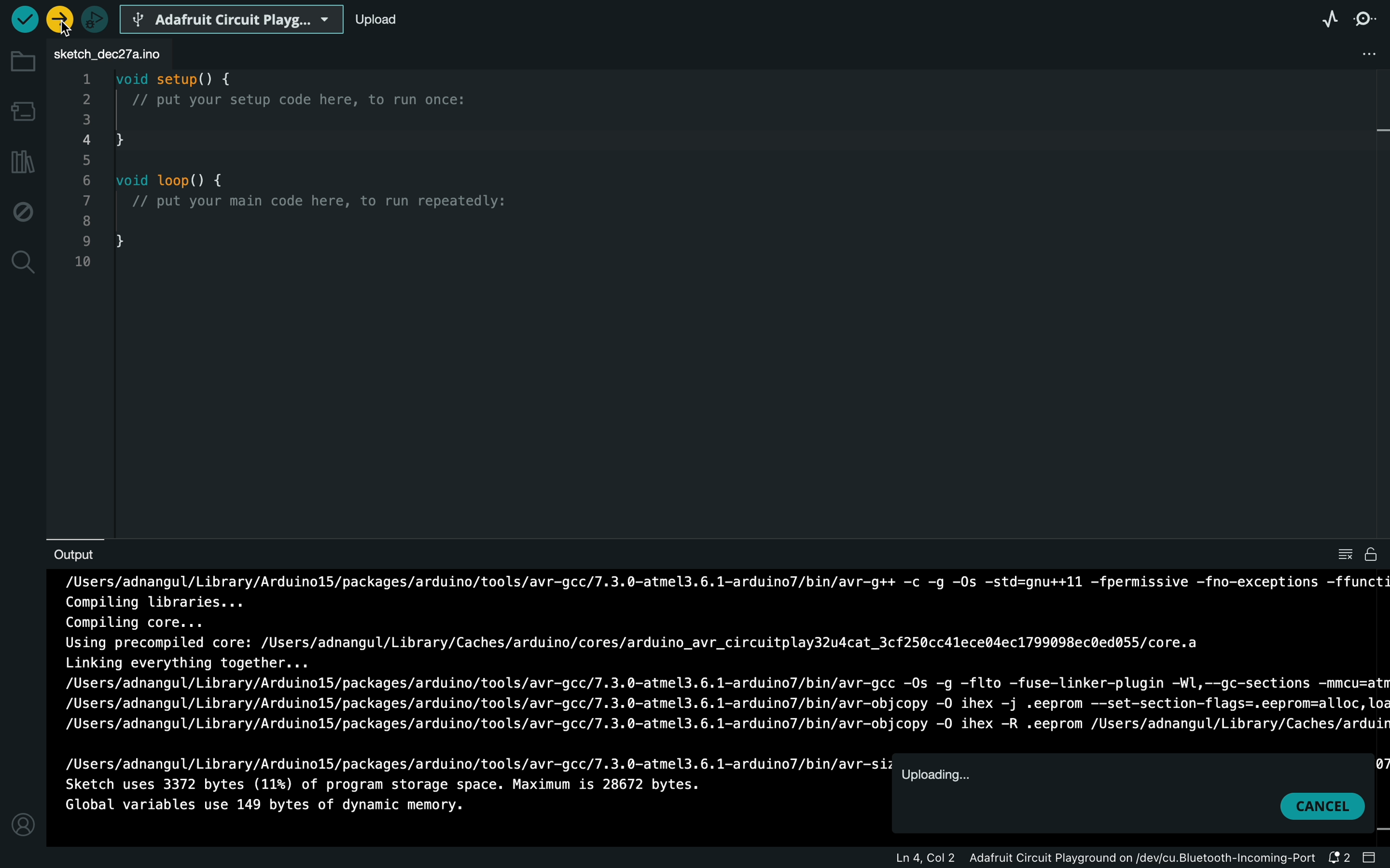 The width and height of the screenshot is (1390, 868). I want to click on board selecter, so click(230, 22).